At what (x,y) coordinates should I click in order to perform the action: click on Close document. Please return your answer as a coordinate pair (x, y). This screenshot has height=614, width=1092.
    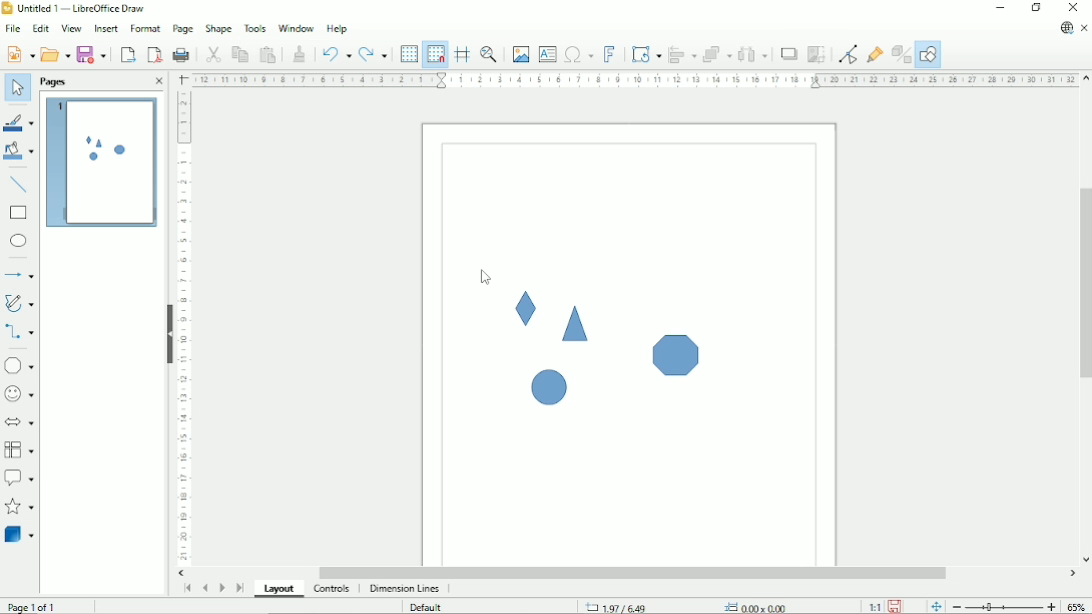
    Looking at the image, I should click on (1085, 29).